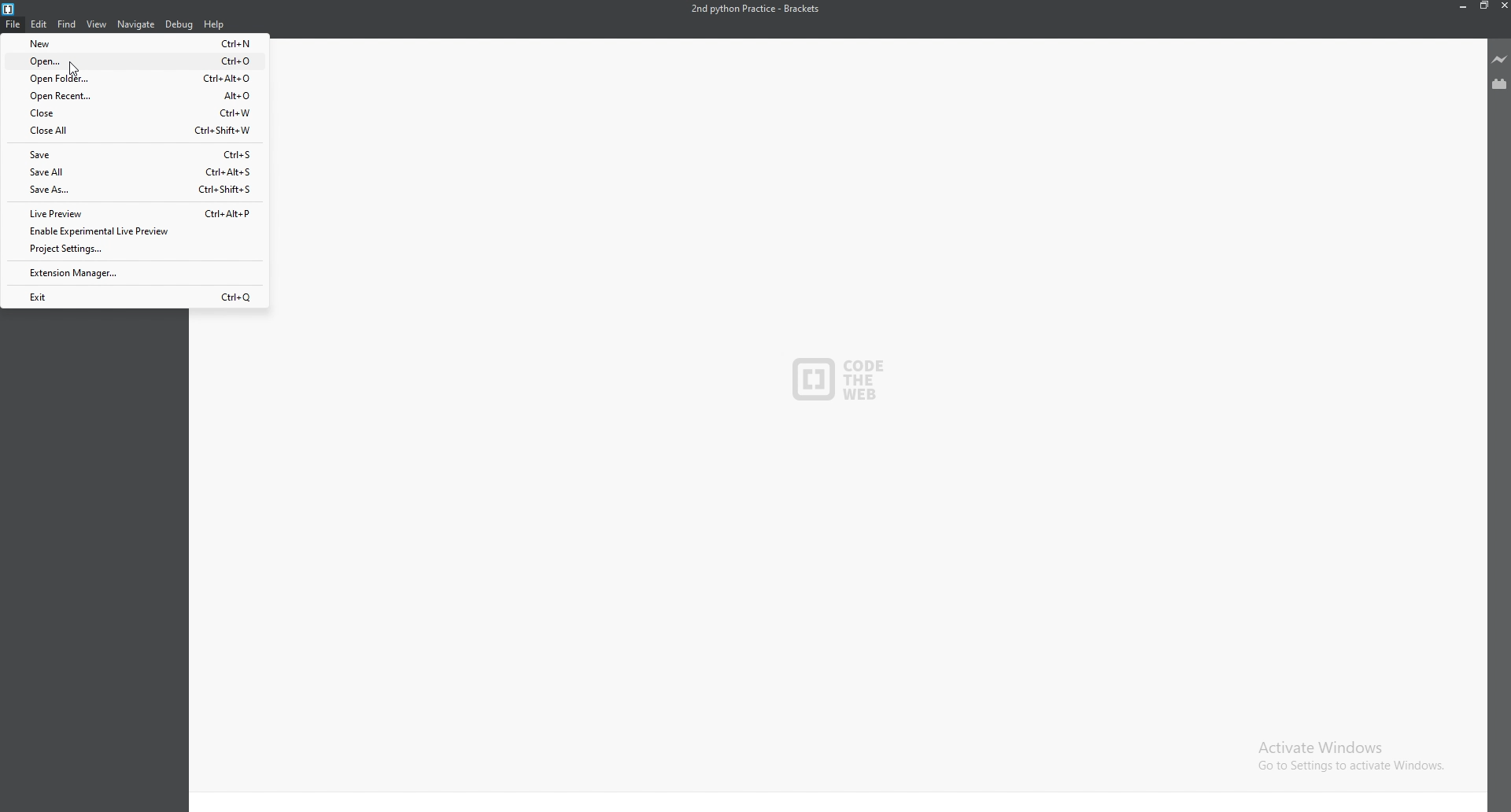 This screenshot has width=1511, height=812. Describe the element at coordinates (39, 24) in the screenshot. I see `edit` at that location.